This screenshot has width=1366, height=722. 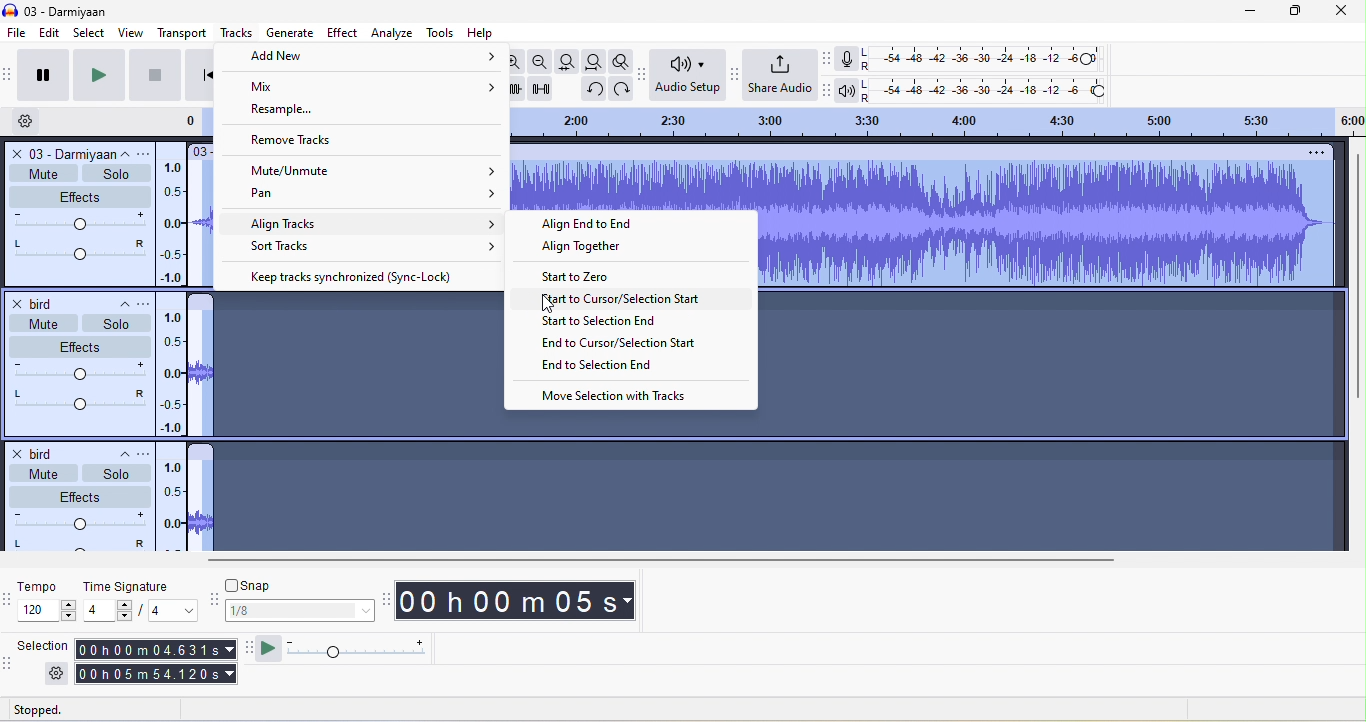 I want to click on undo, so click(x=591, y=88).